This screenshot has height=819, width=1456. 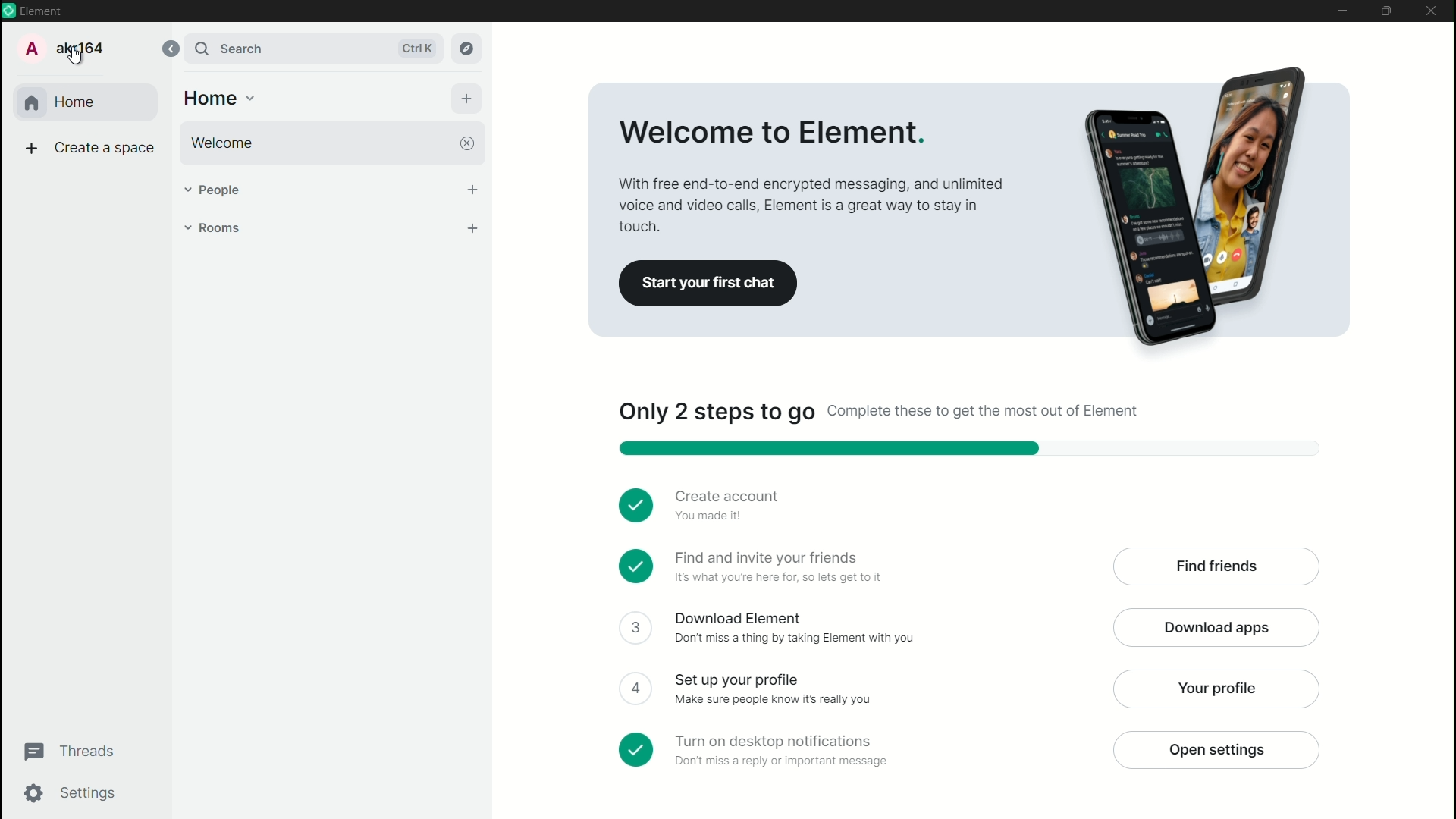 I want to click on Welcome to element., so click(x=769, y=133).